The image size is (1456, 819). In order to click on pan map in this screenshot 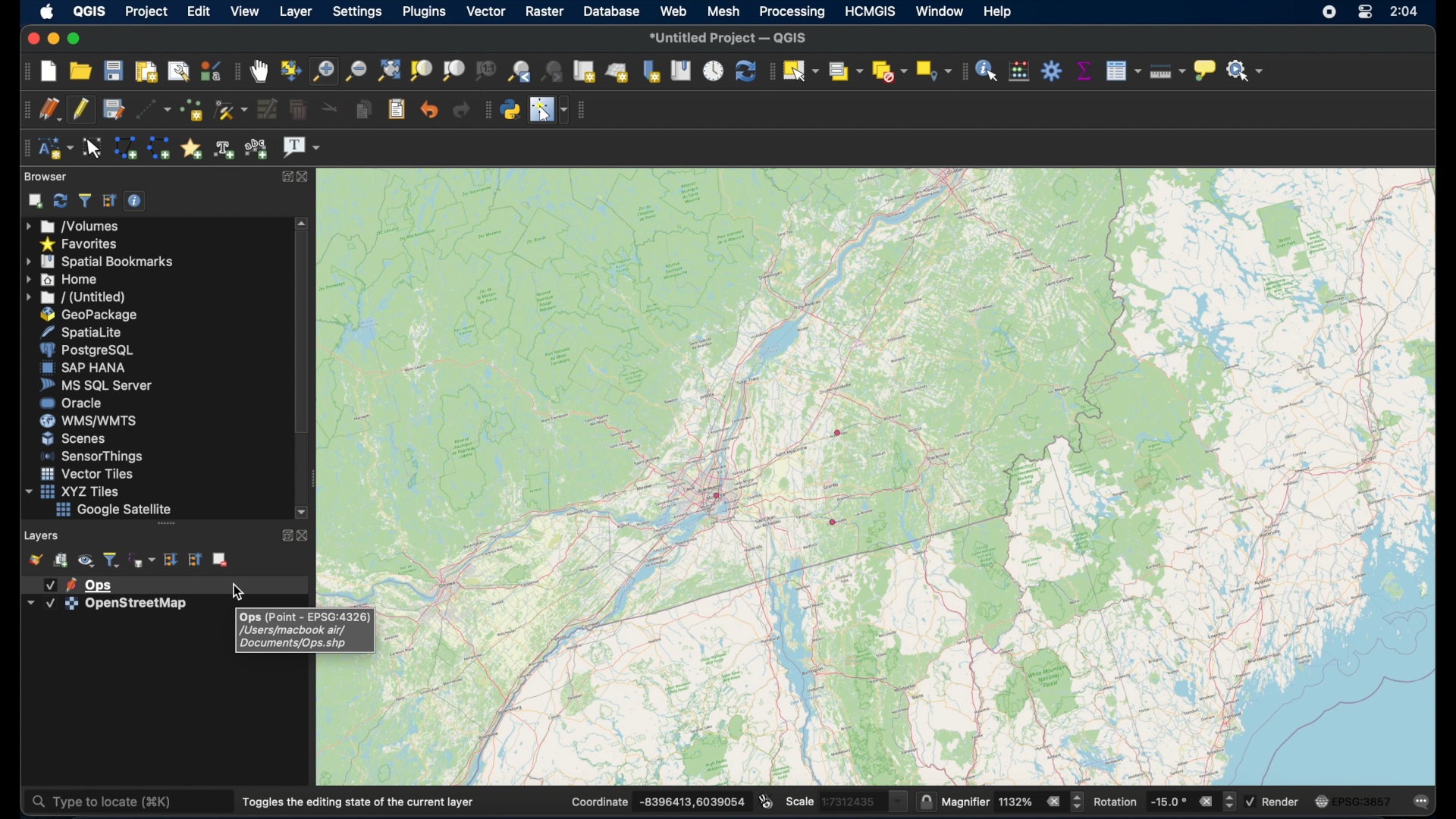, I will do `click(260, 71)`.